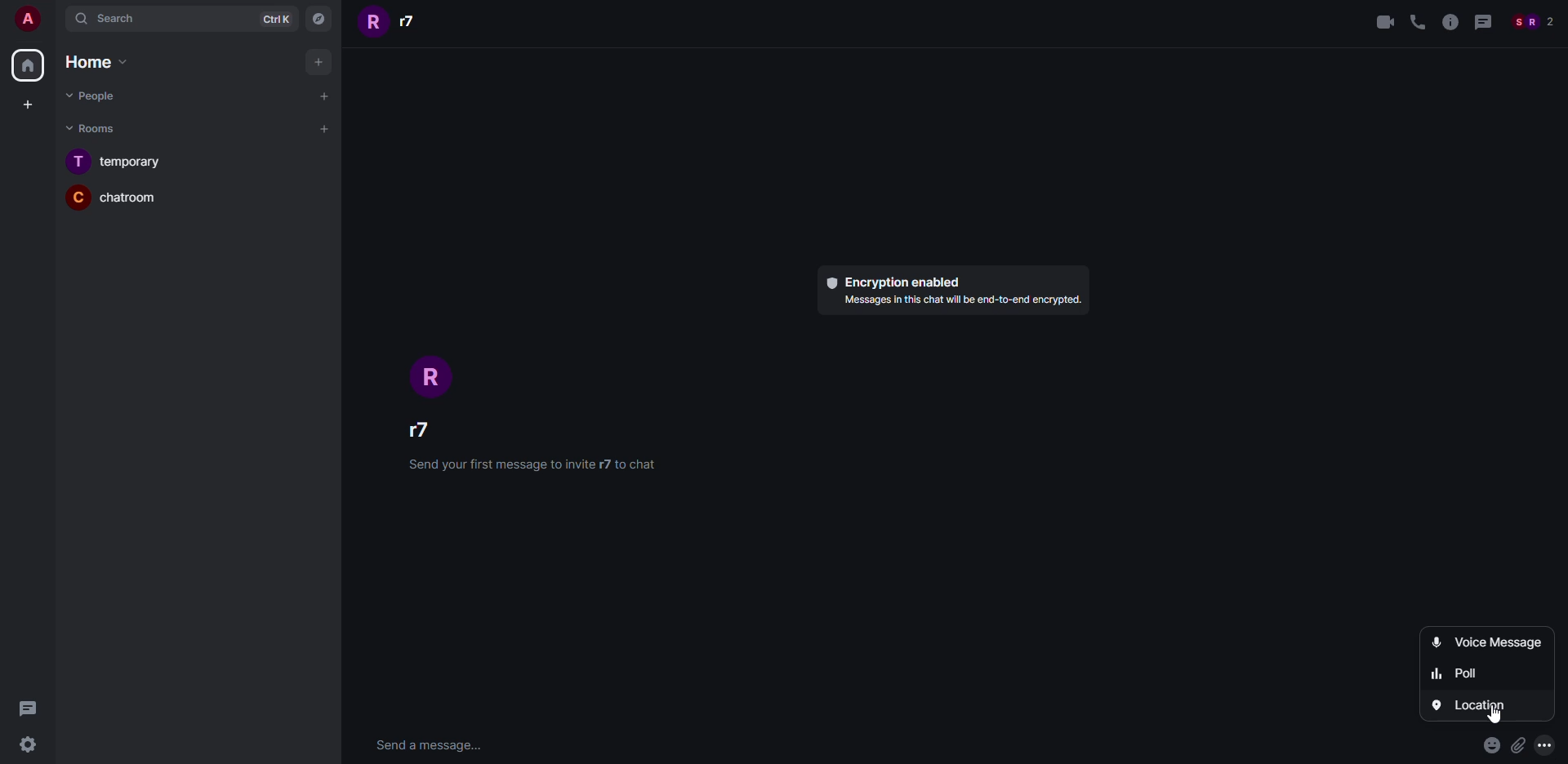  Describe the element at coordinates (432, 428) in the screenshot. I see `Username` at that location.